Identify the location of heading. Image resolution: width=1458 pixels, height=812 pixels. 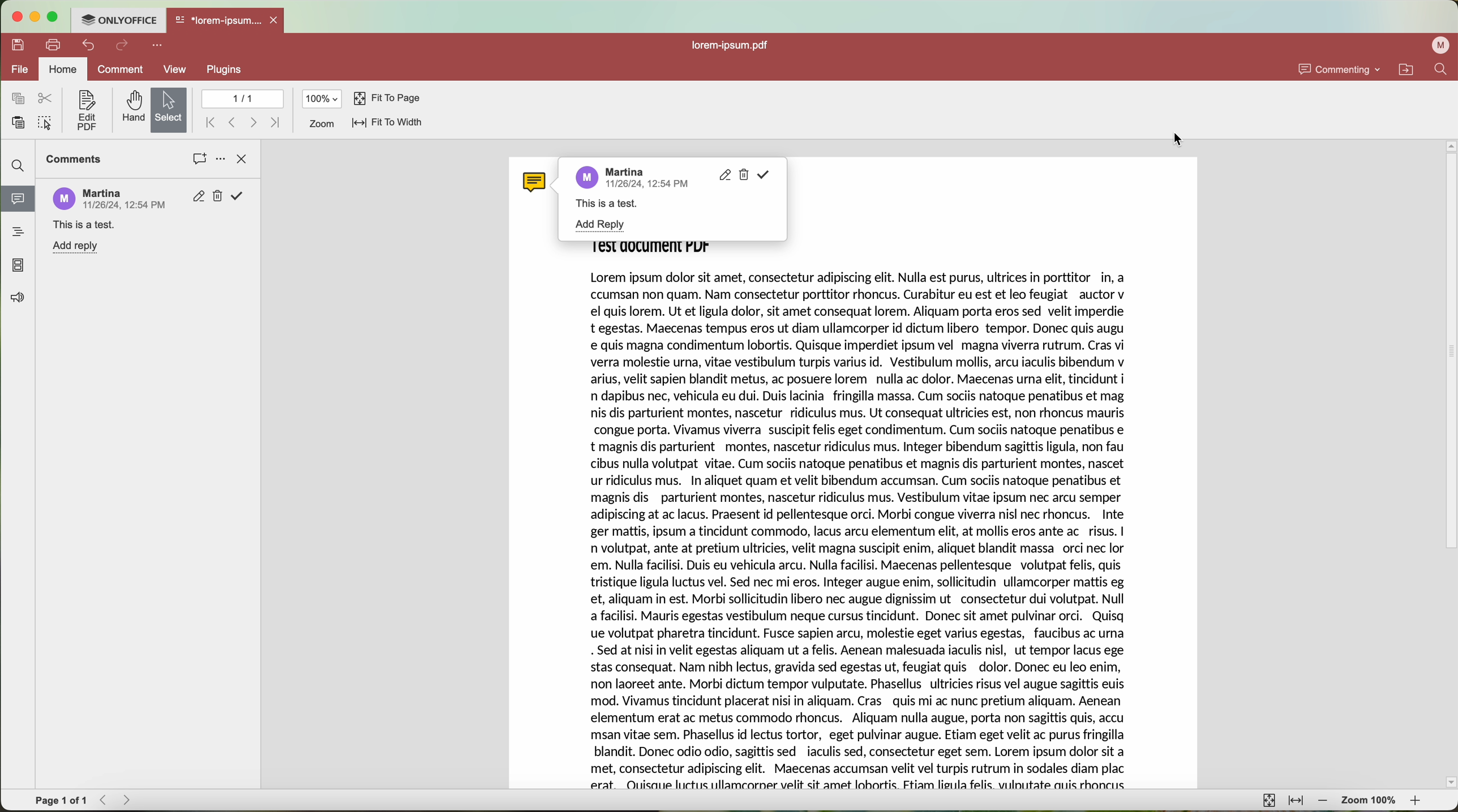
(19, 231).